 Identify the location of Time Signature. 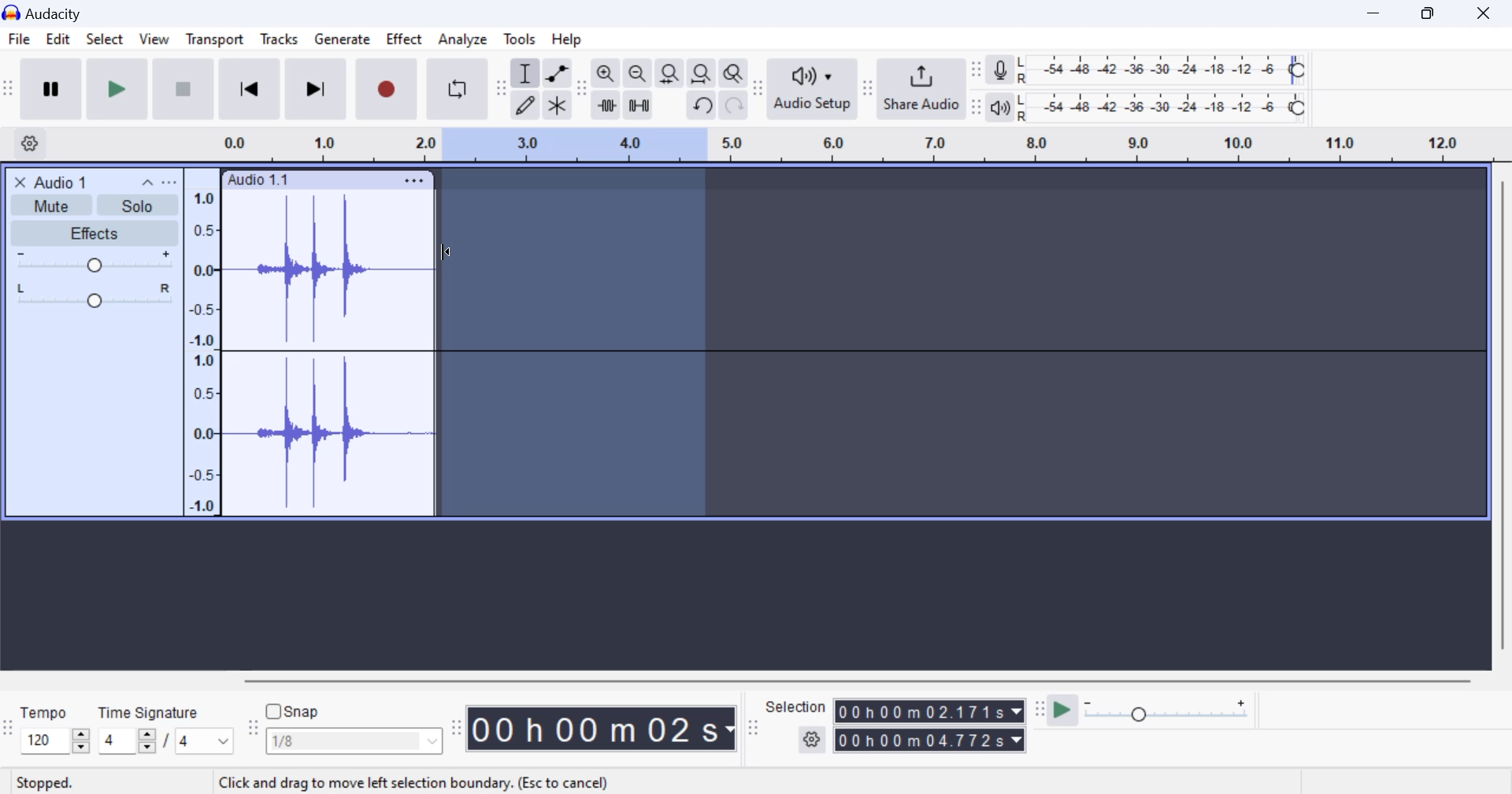
(150, 710).